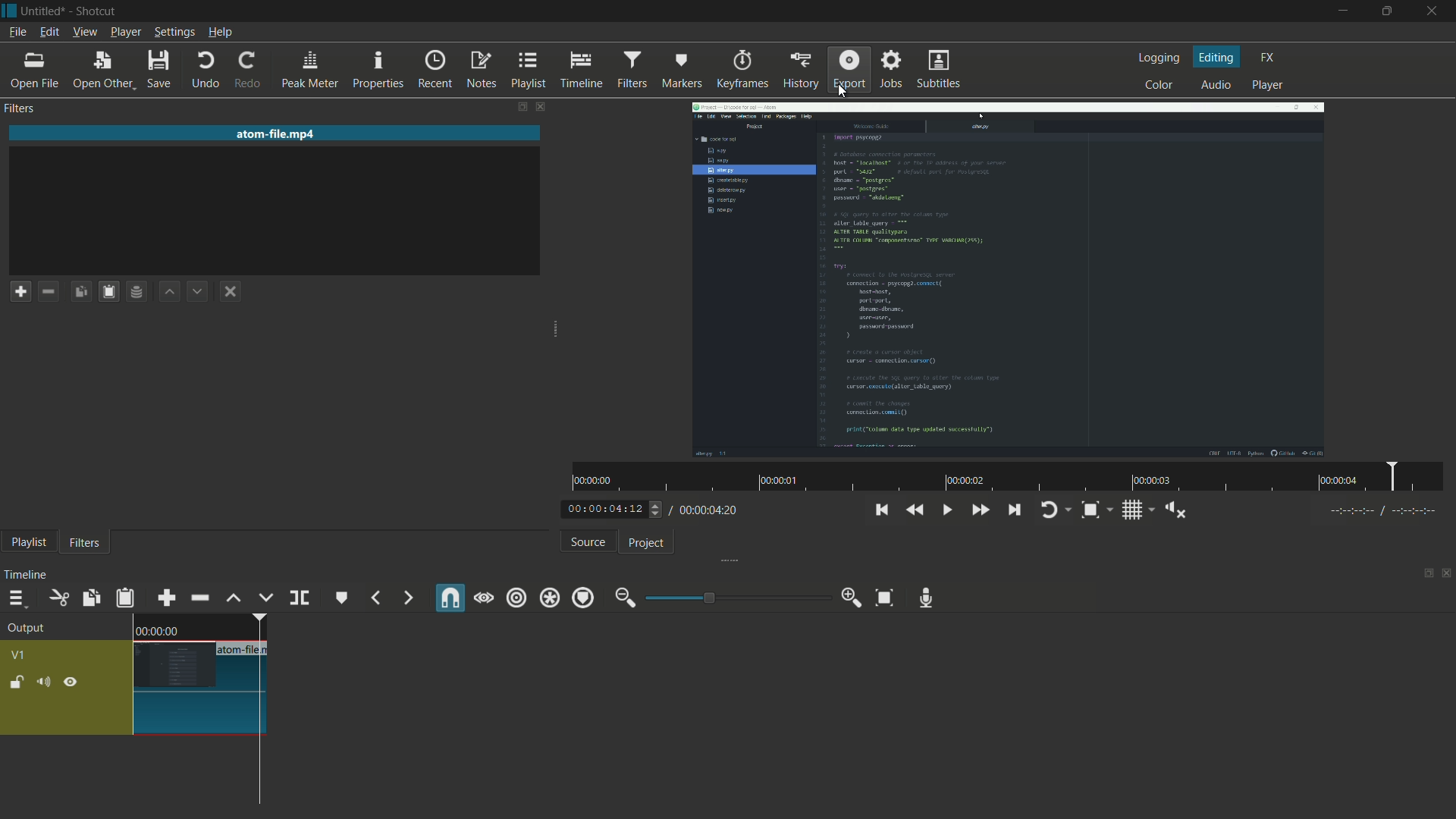  Describe the element at coordinates (1157, 86) in the screenshot. I see `color` at that location.